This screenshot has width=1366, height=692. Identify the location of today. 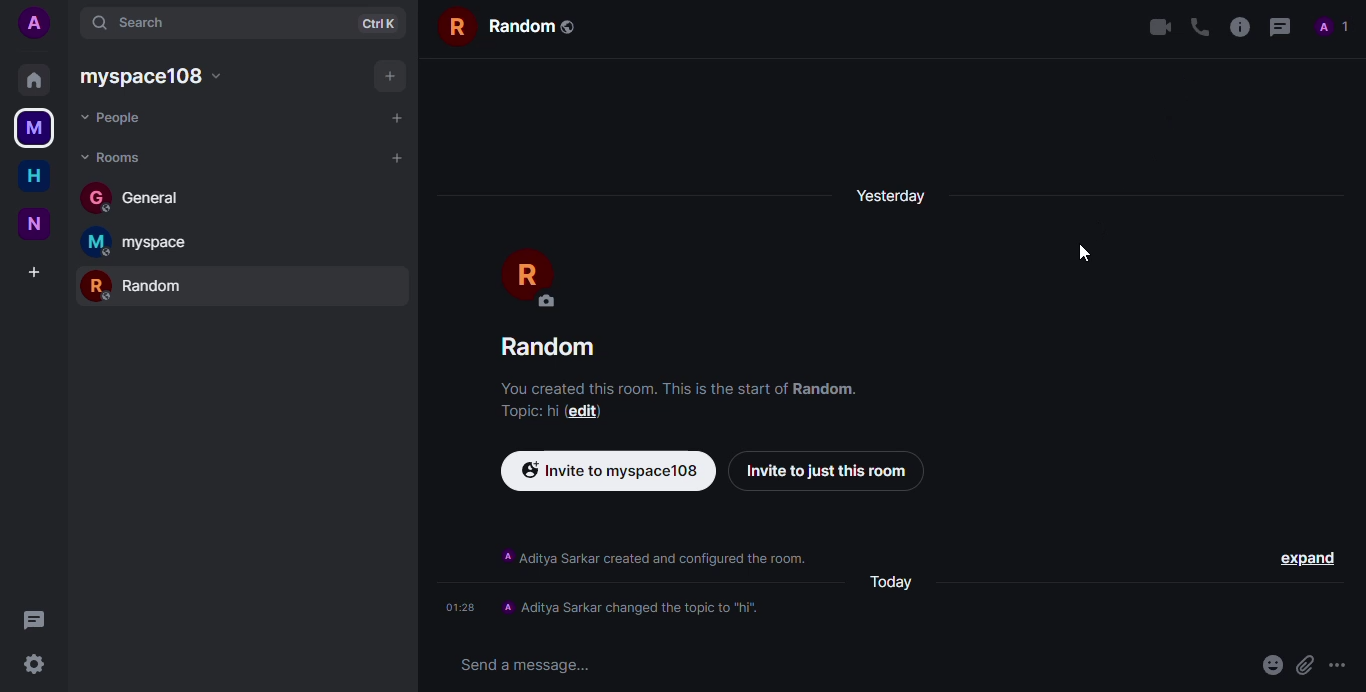
(917, 581).